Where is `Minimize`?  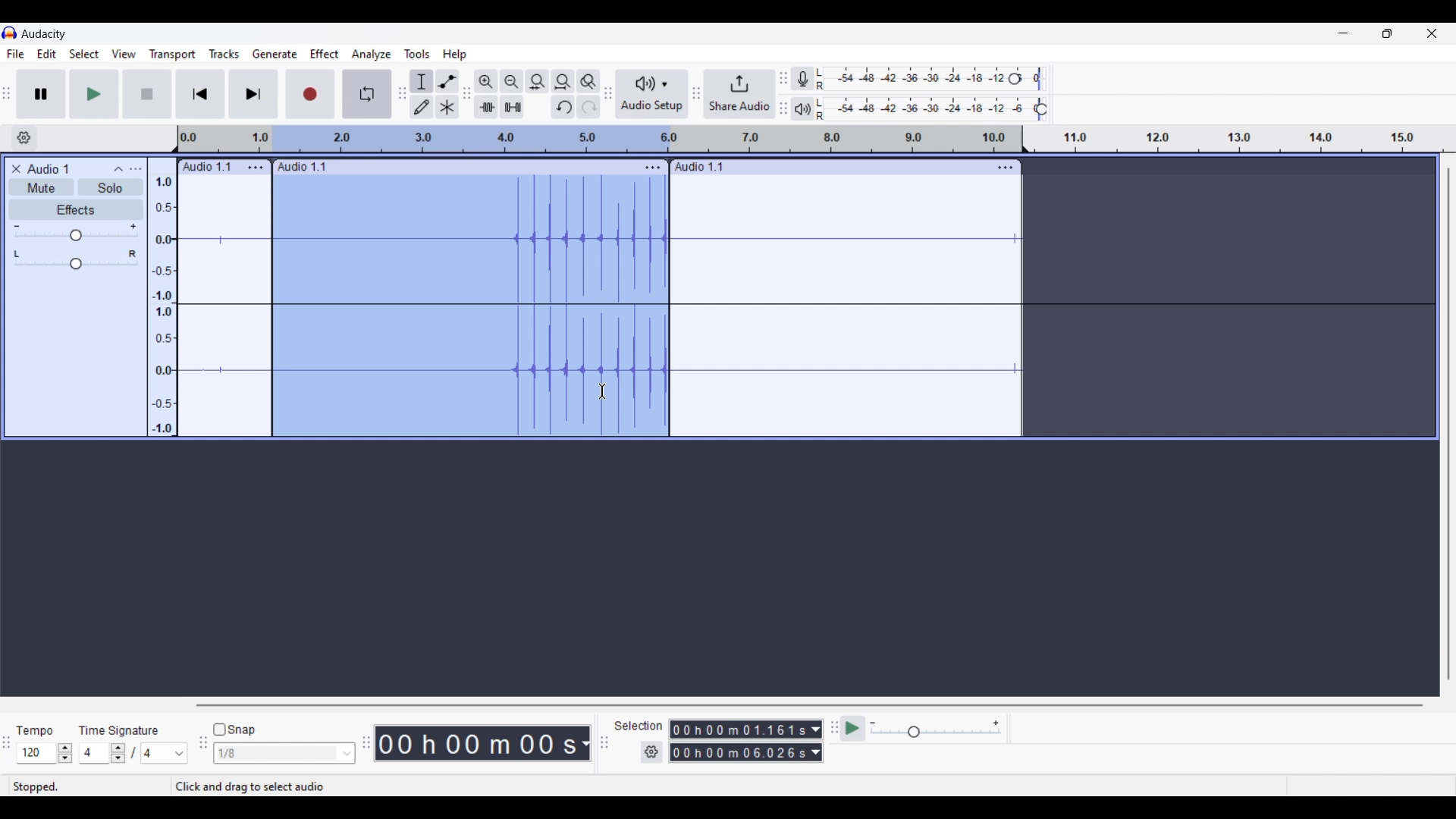
Minimize is located at coordinates (1343, 33).